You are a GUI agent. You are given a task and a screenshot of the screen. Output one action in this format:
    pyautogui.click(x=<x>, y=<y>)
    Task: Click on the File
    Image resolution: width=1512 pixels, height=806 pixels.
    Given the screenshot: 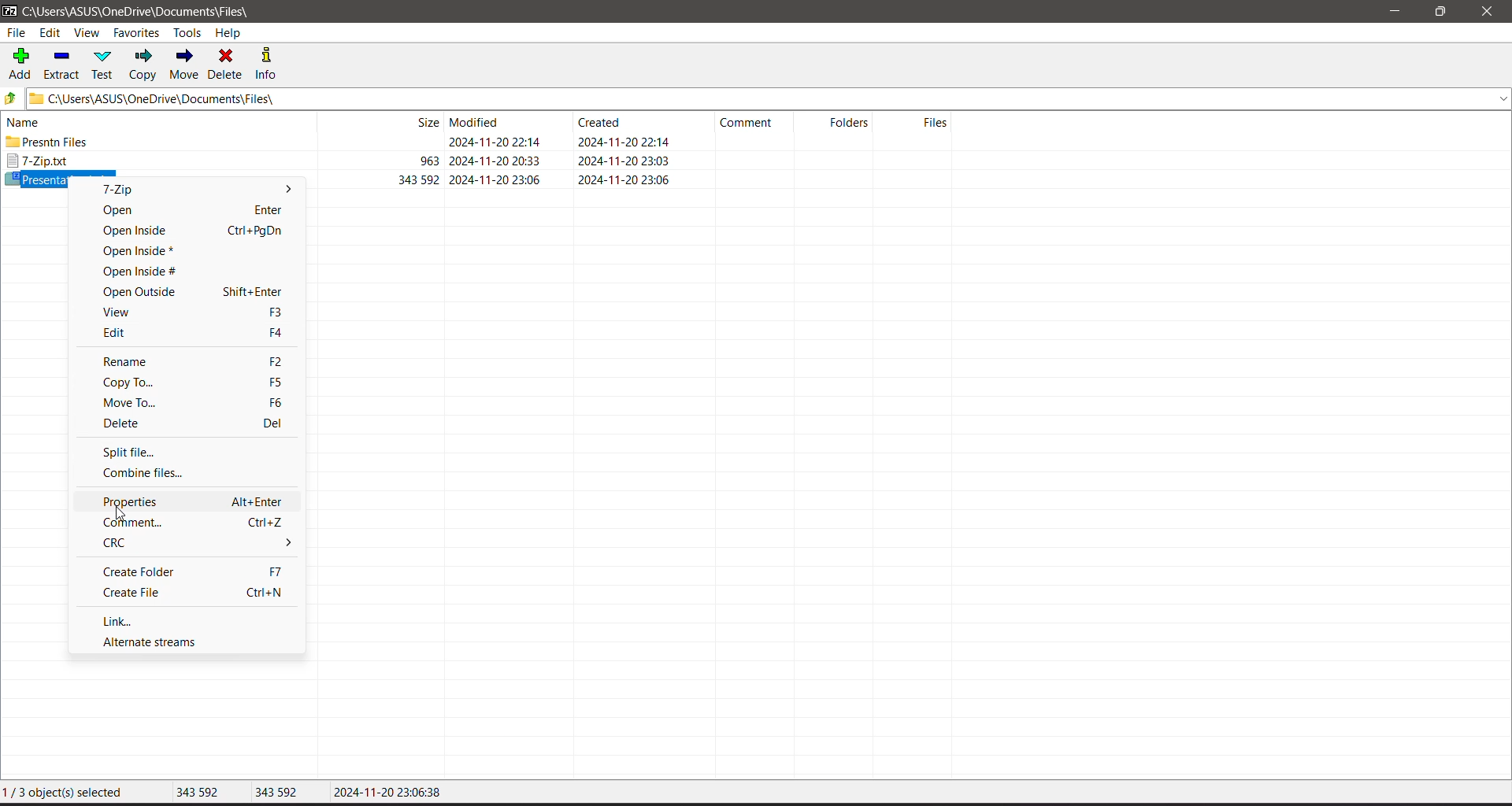 What is the action you would take?
    pyautogui.click(x=16, y=33)
    